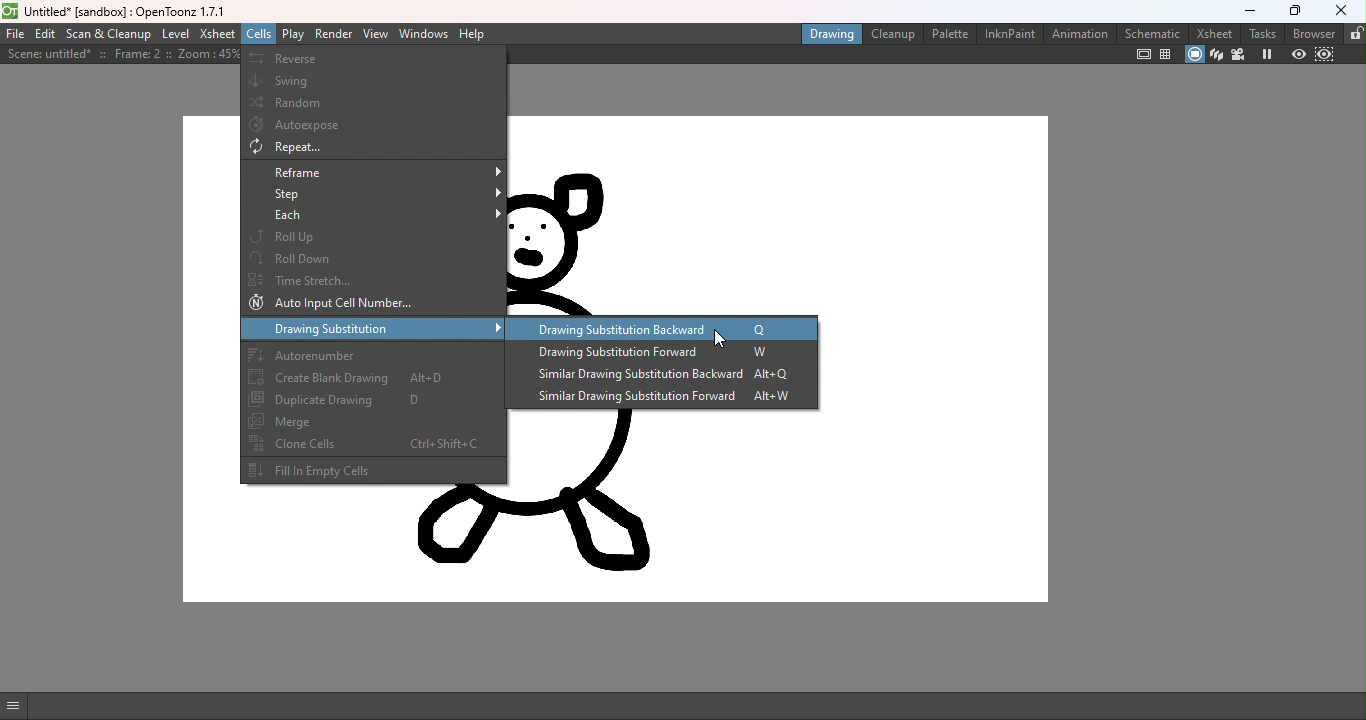 The width and height of the screenshot is (1366, 720). Describe the element at coordinates (373, 172) in the screenshot. I see `Reframe` at that location.